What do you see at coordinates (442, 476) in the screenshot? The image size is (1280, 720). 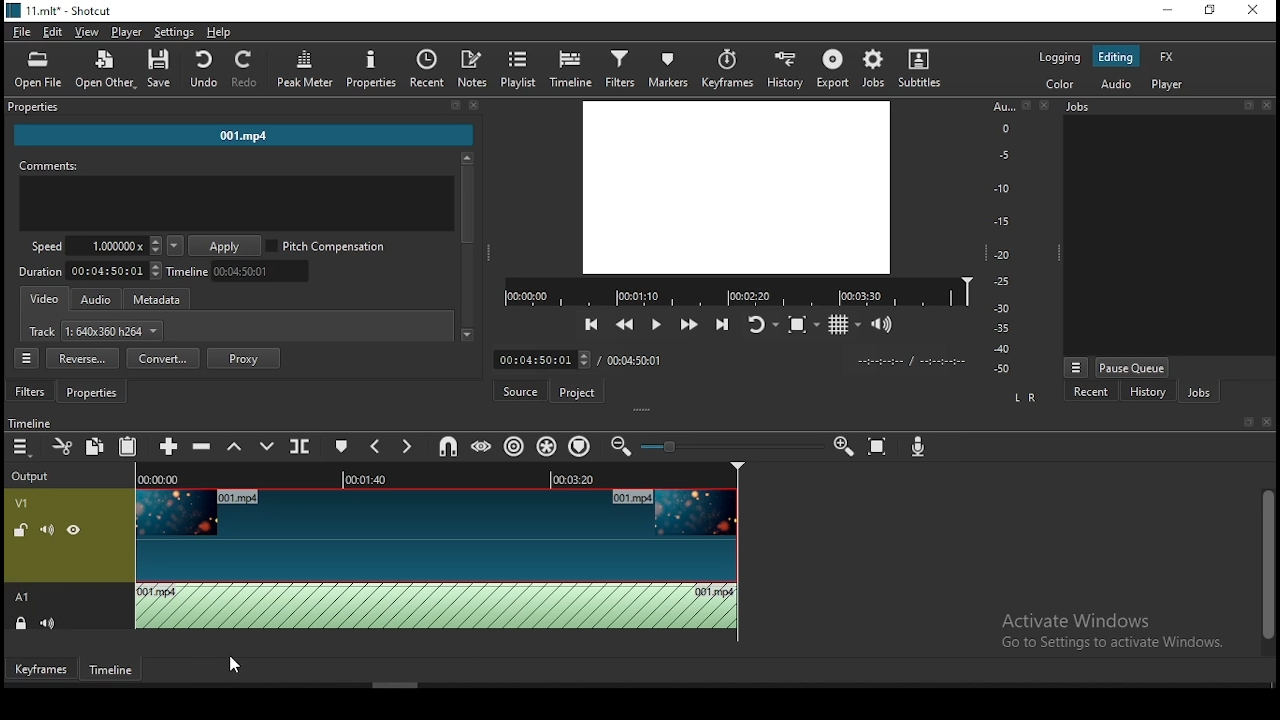 I see `TIMELINE` at bounding box center [442, 476].